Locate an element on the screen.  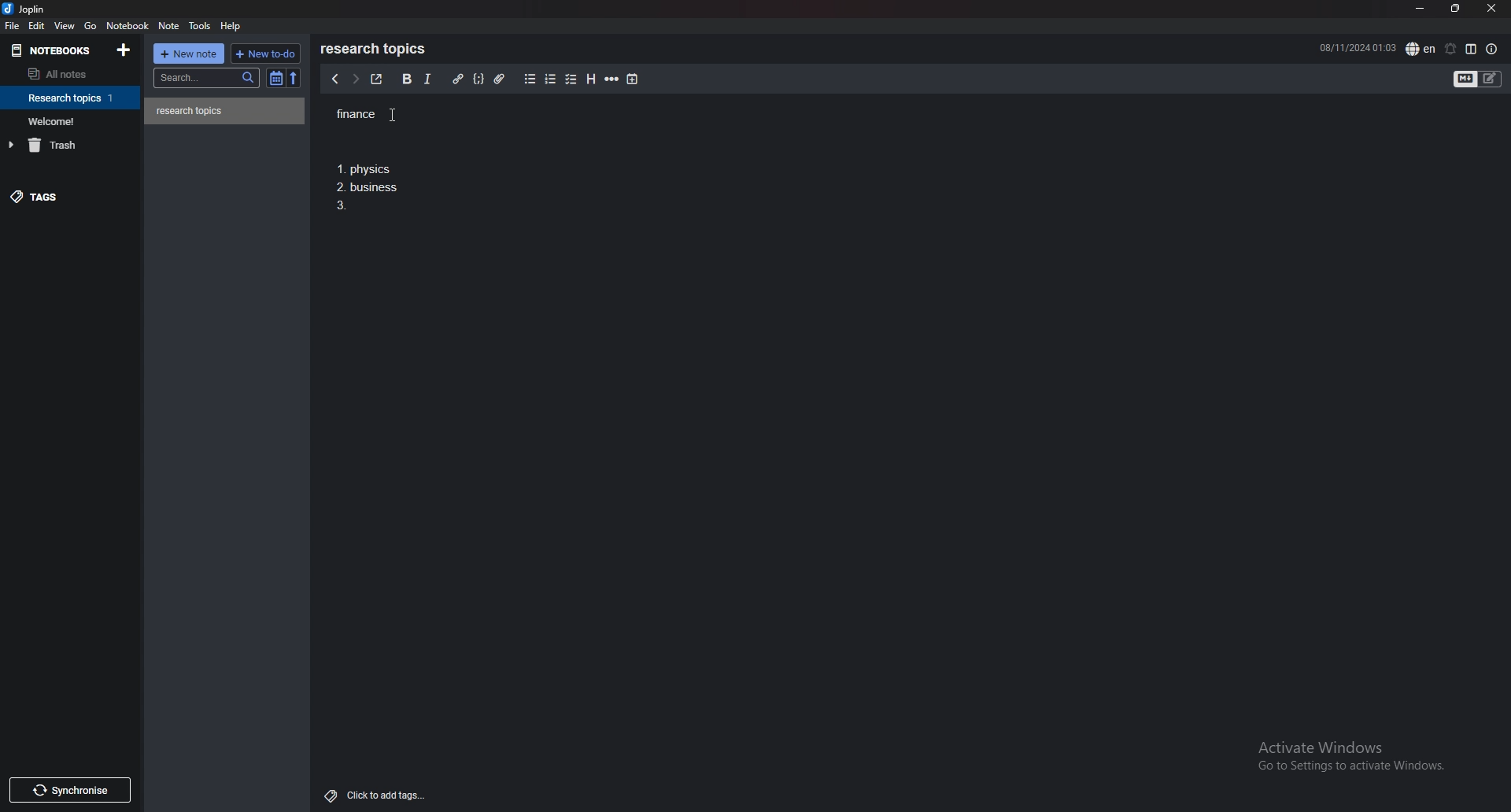
toggle external editor is located at coordinates (375, 79).